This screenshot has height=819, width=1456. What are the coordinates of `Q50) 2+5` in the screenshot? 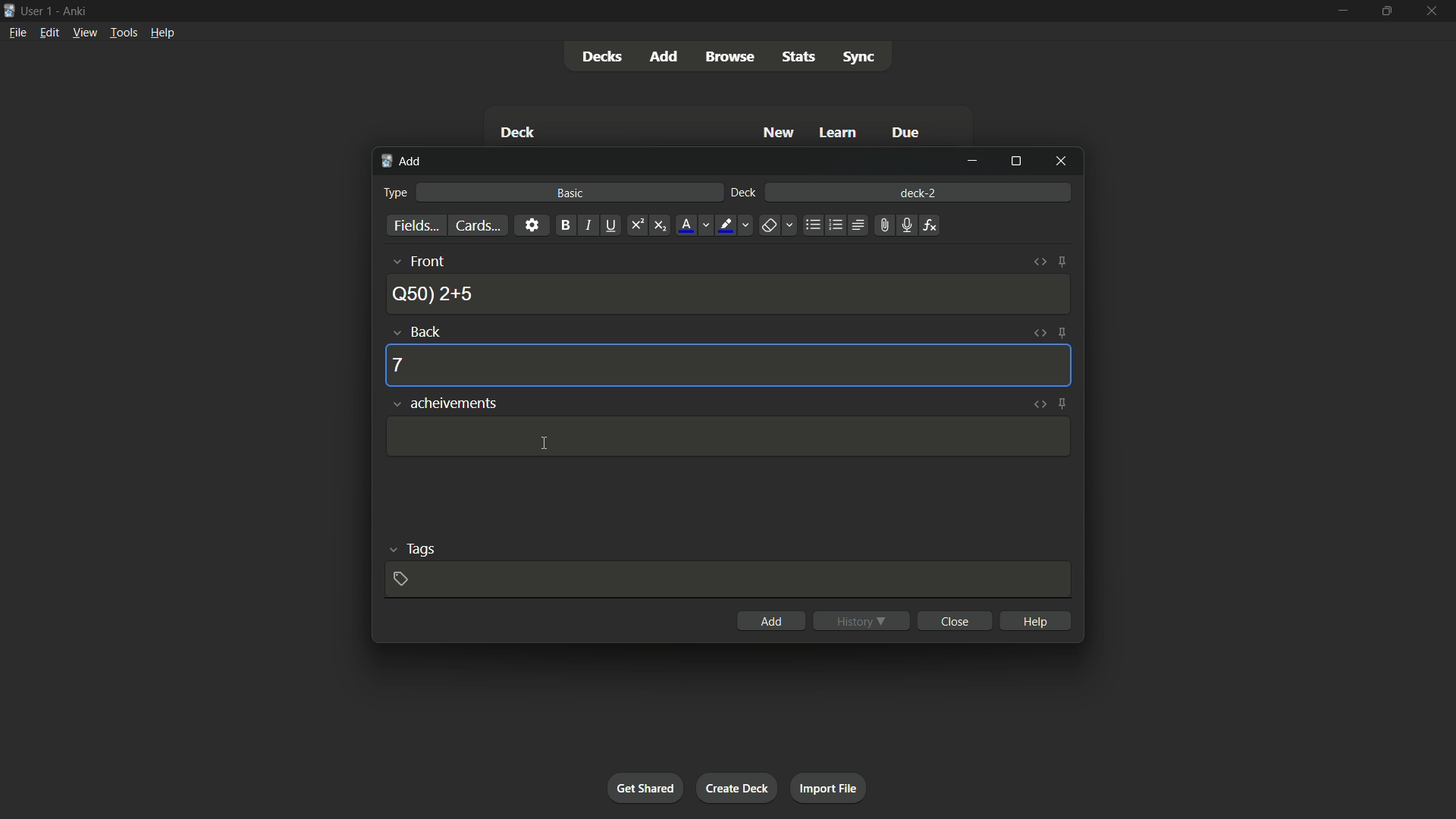 It's located at (434, 293).